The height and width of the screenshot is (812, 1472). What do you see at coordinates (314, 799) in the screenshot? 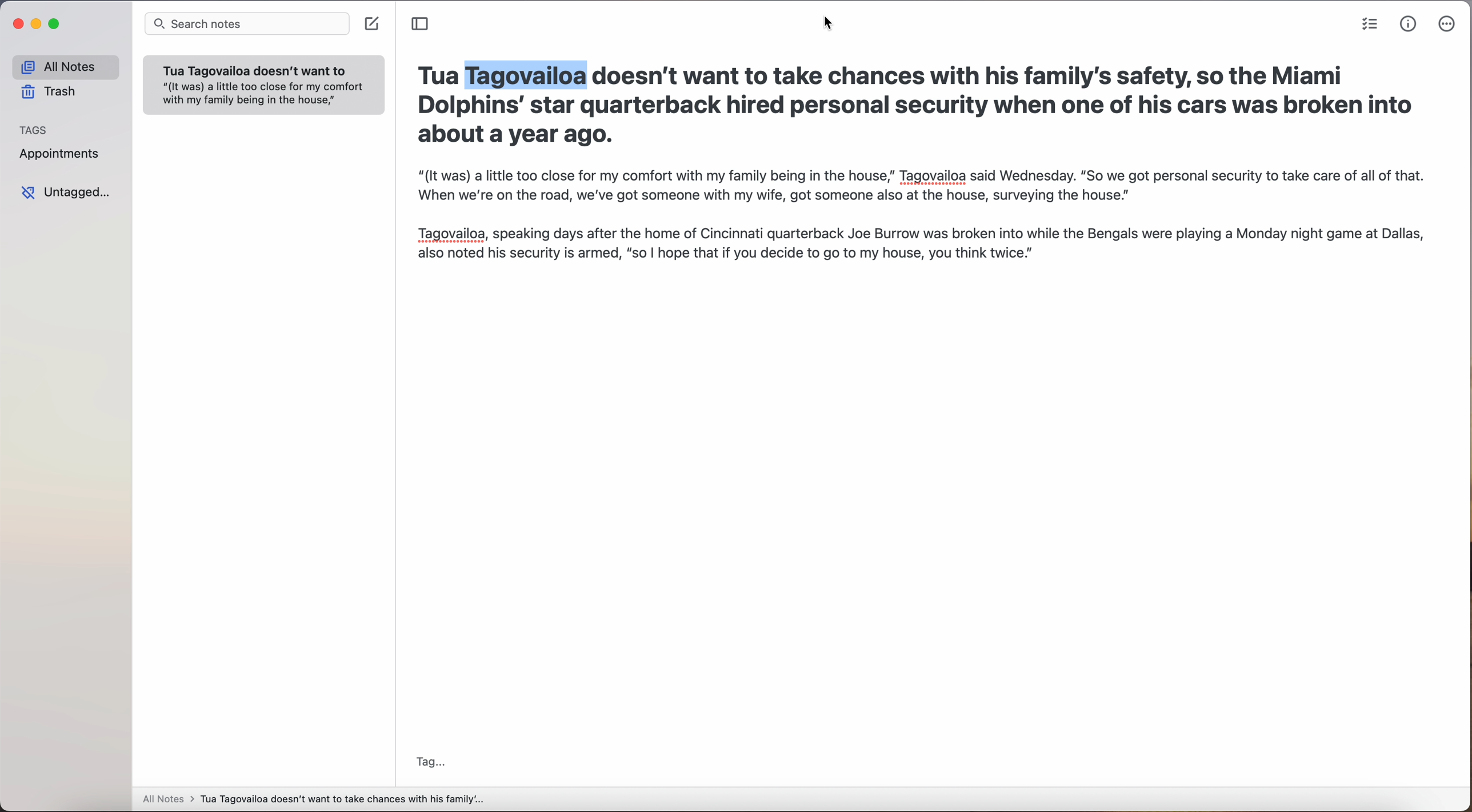
I see `all notes > Tua Tagovailoa doesn't want to take chances with his family...` at bounding box center [314, 799].